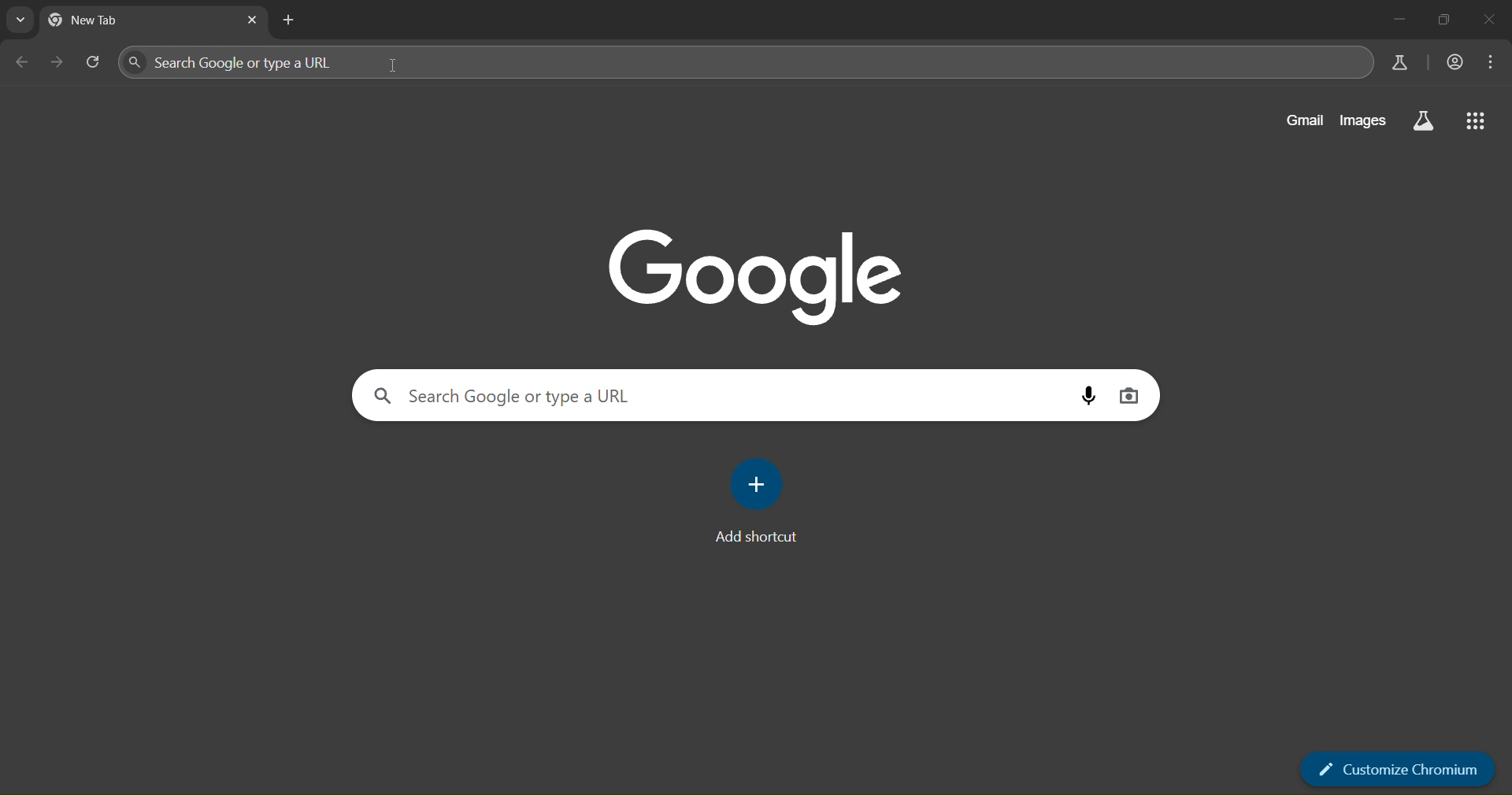 The height and width of the screenshot is (795, 1512). I want to click on new tab, so click(290, 21).